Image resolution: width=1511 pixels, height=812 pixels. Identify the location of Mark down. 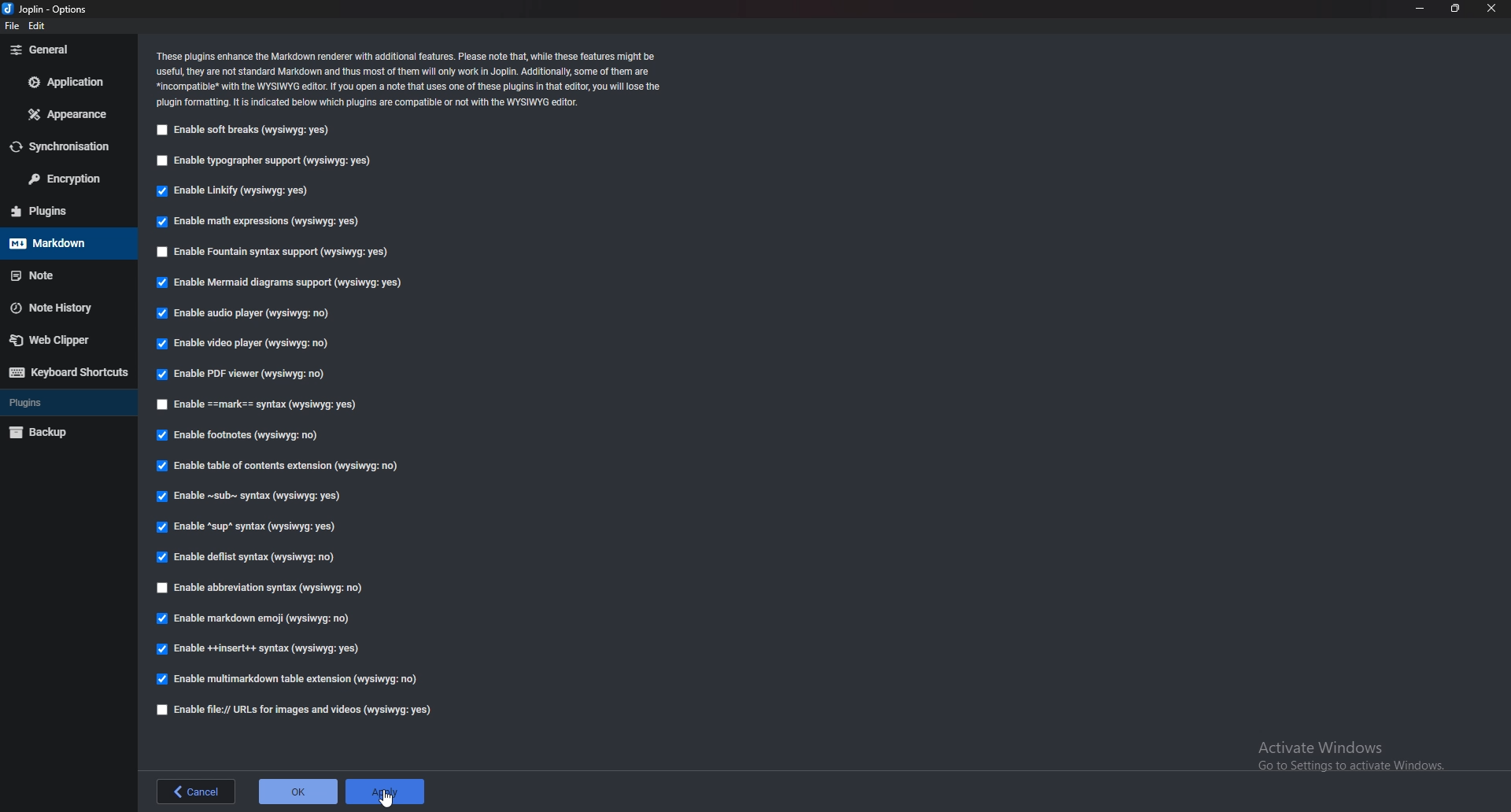
(58, 245).